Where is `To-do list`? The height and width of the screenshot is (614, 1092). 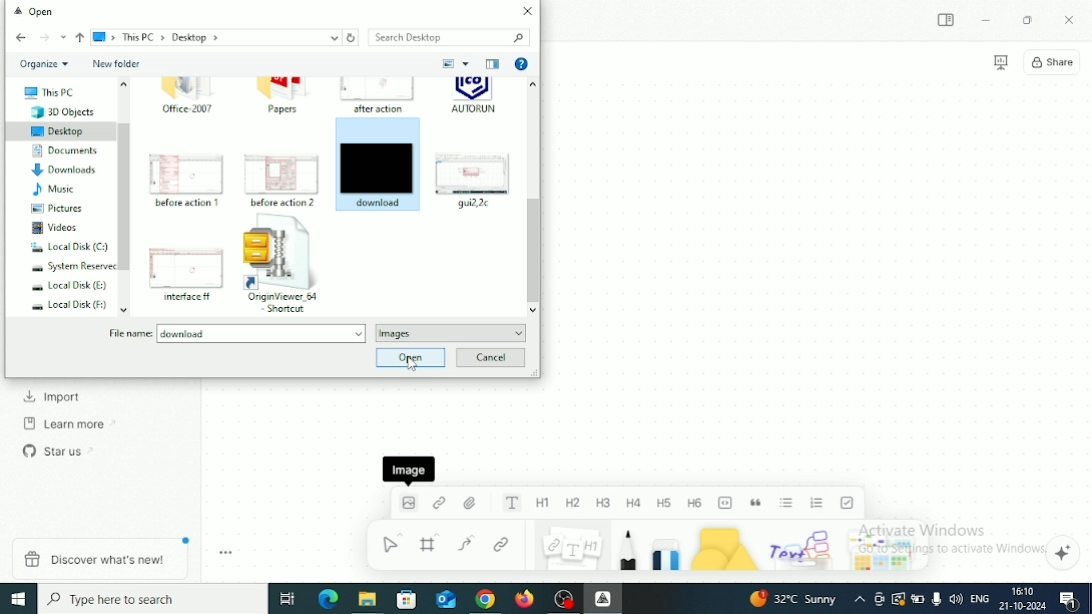
To-do list is located at coordinates (849, 502).